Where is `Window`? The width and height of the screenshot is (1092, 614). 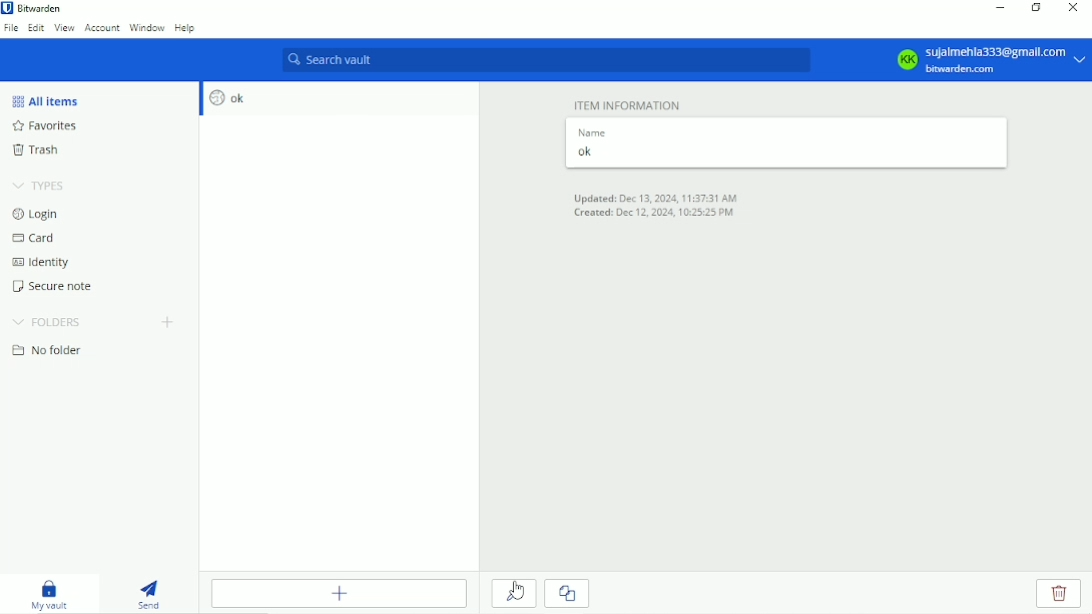
Window is located at coordinates (146, 28).